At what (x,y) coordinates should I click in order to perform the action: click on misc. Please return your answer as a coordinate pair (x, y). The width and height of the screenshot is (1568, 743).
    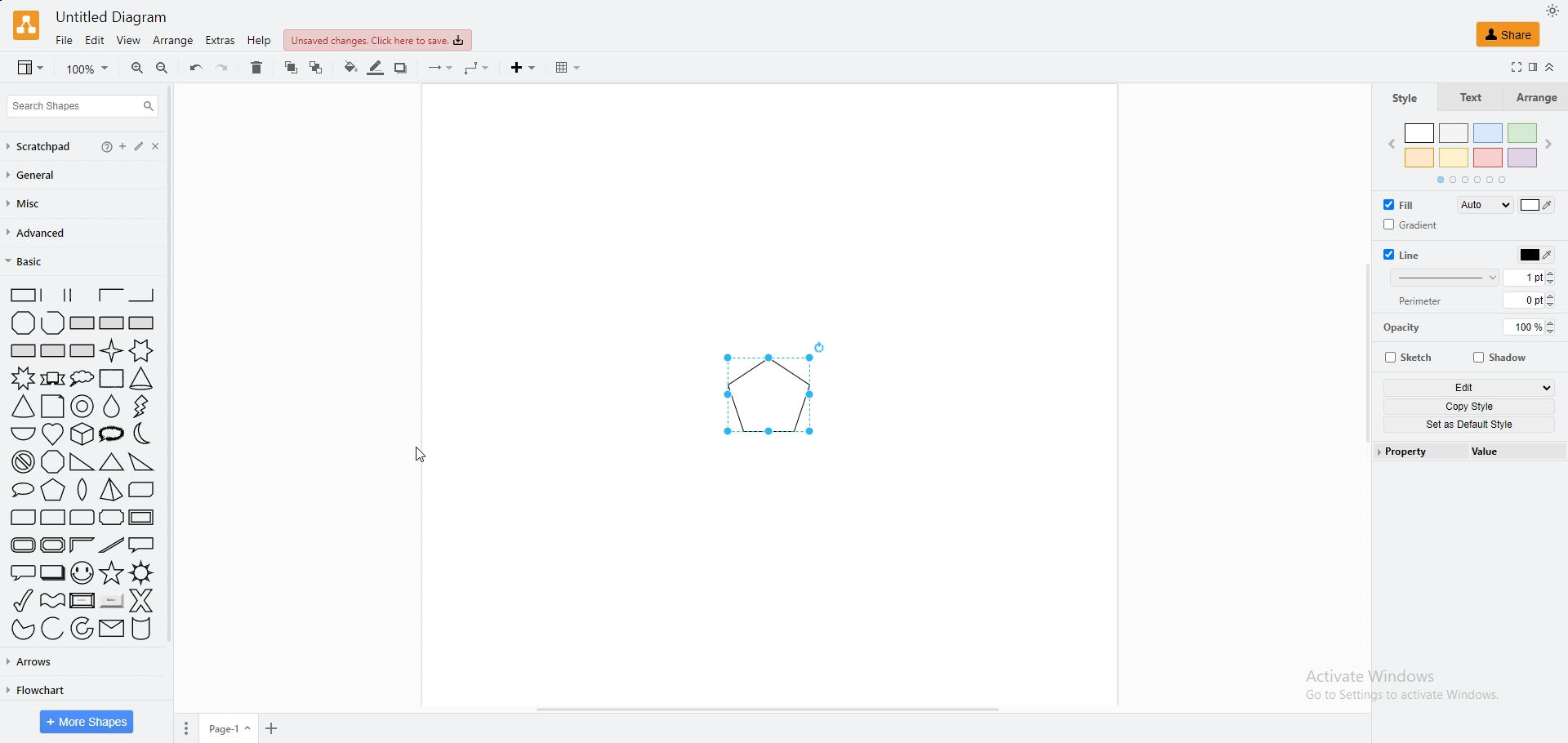
    Looking at the image, I should click on (32, 204).